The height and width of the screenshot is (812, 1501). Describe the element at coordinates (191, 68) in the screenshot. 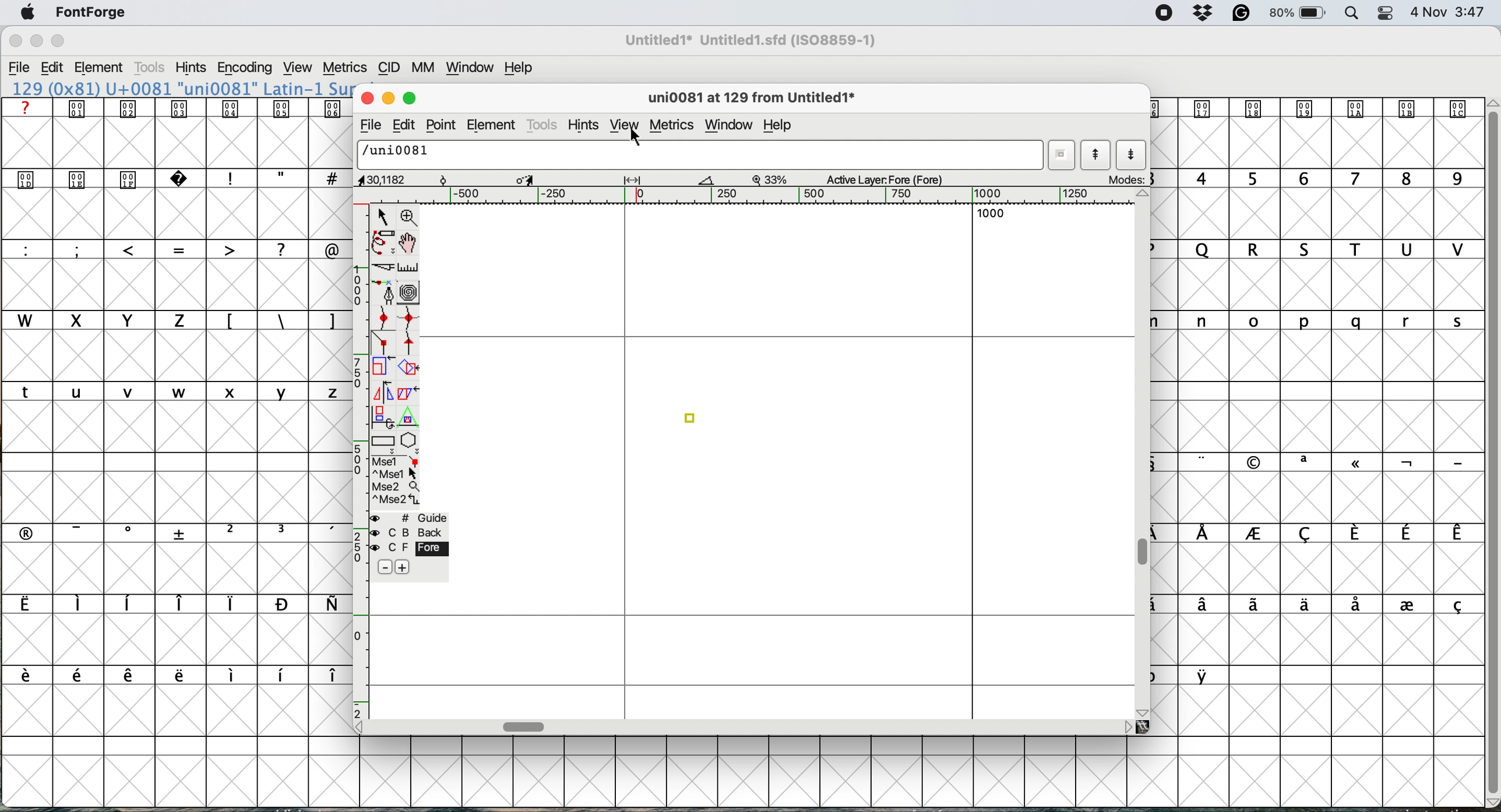

I see `Hints` at that location.